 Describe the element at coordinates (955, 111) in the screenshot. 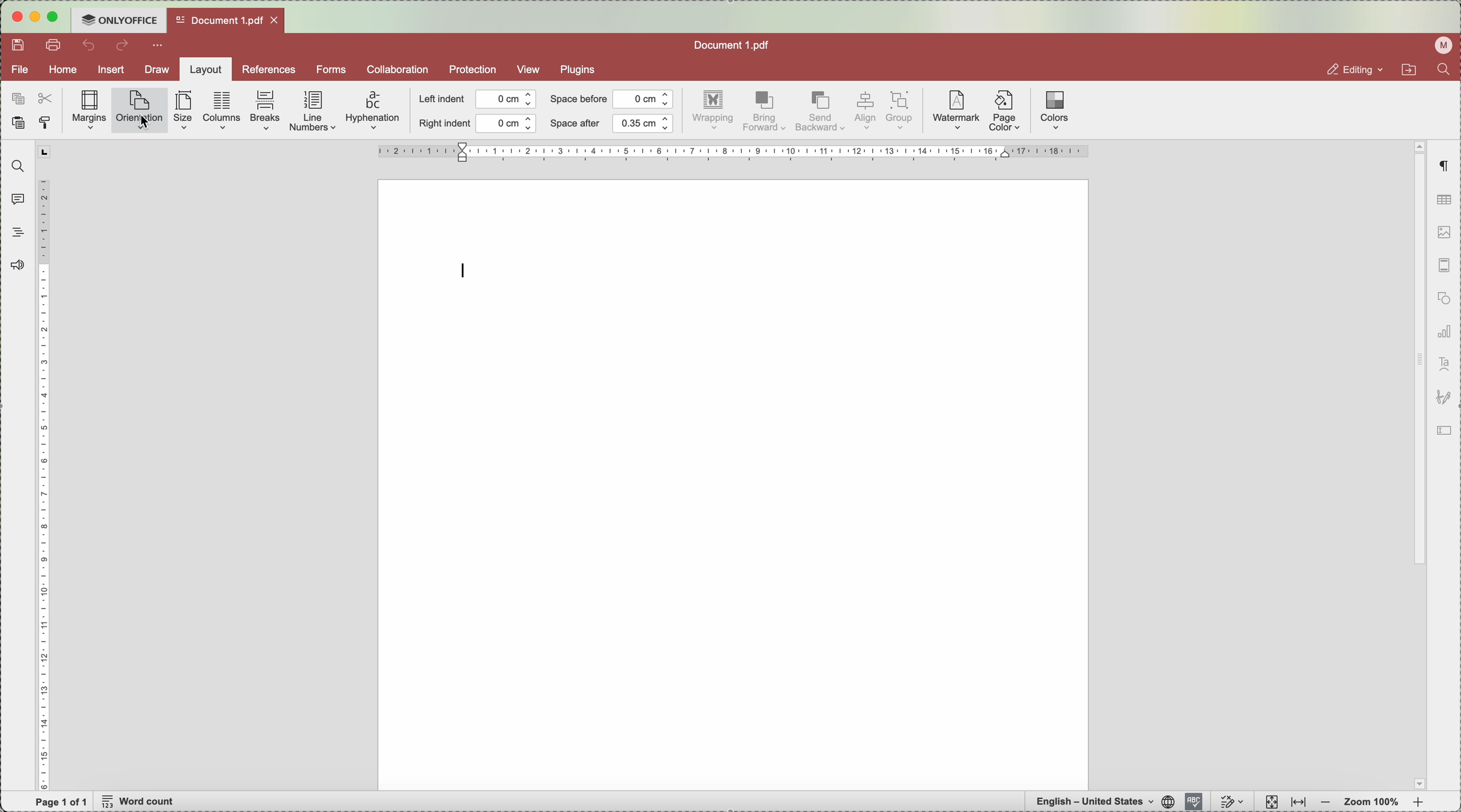

I see `watermark` at that location.